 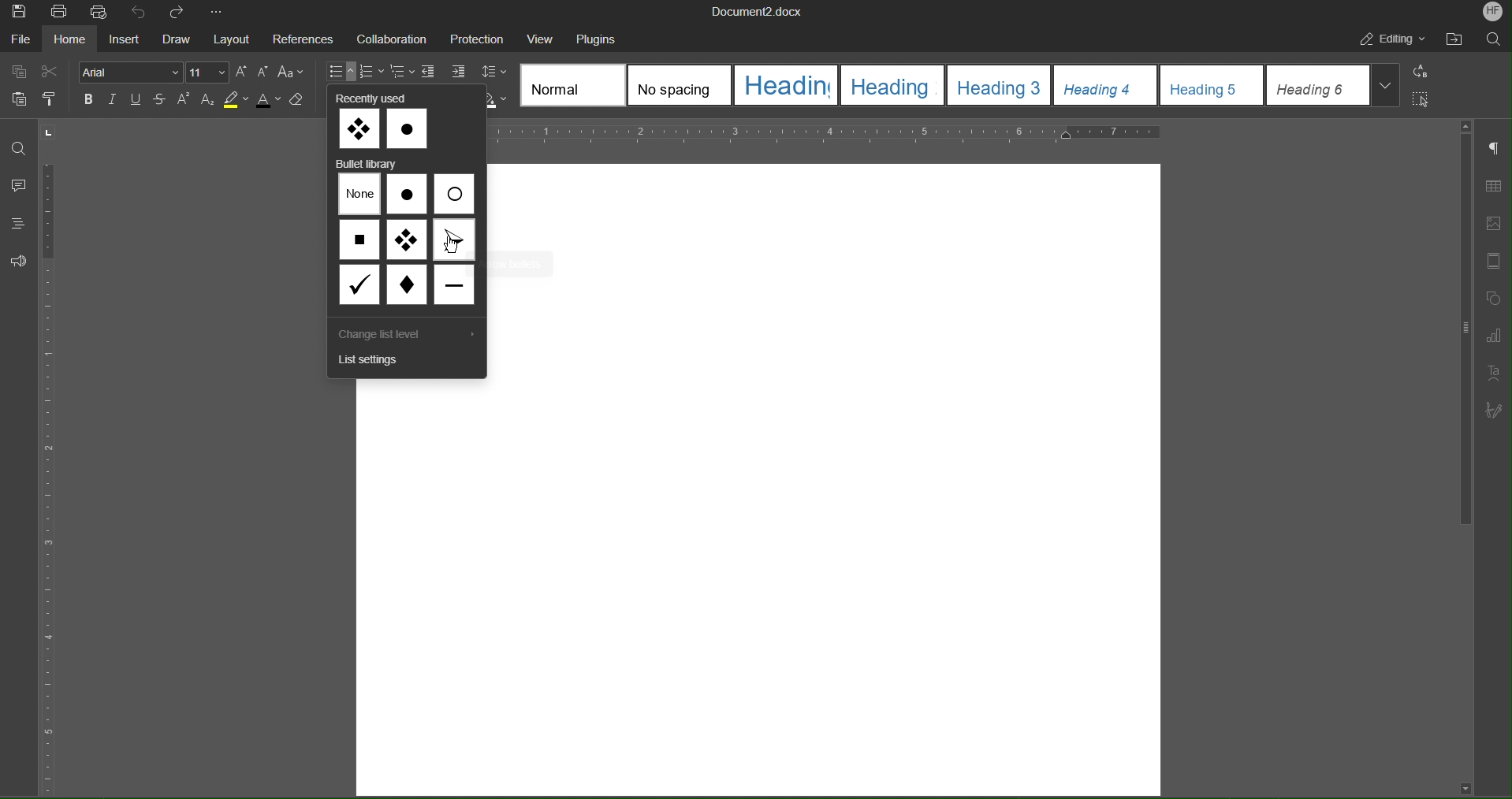 What do you see at coordinates (369, 164) in the screenshot?
I see `Bullet Library` at bounding box center [369, 164].